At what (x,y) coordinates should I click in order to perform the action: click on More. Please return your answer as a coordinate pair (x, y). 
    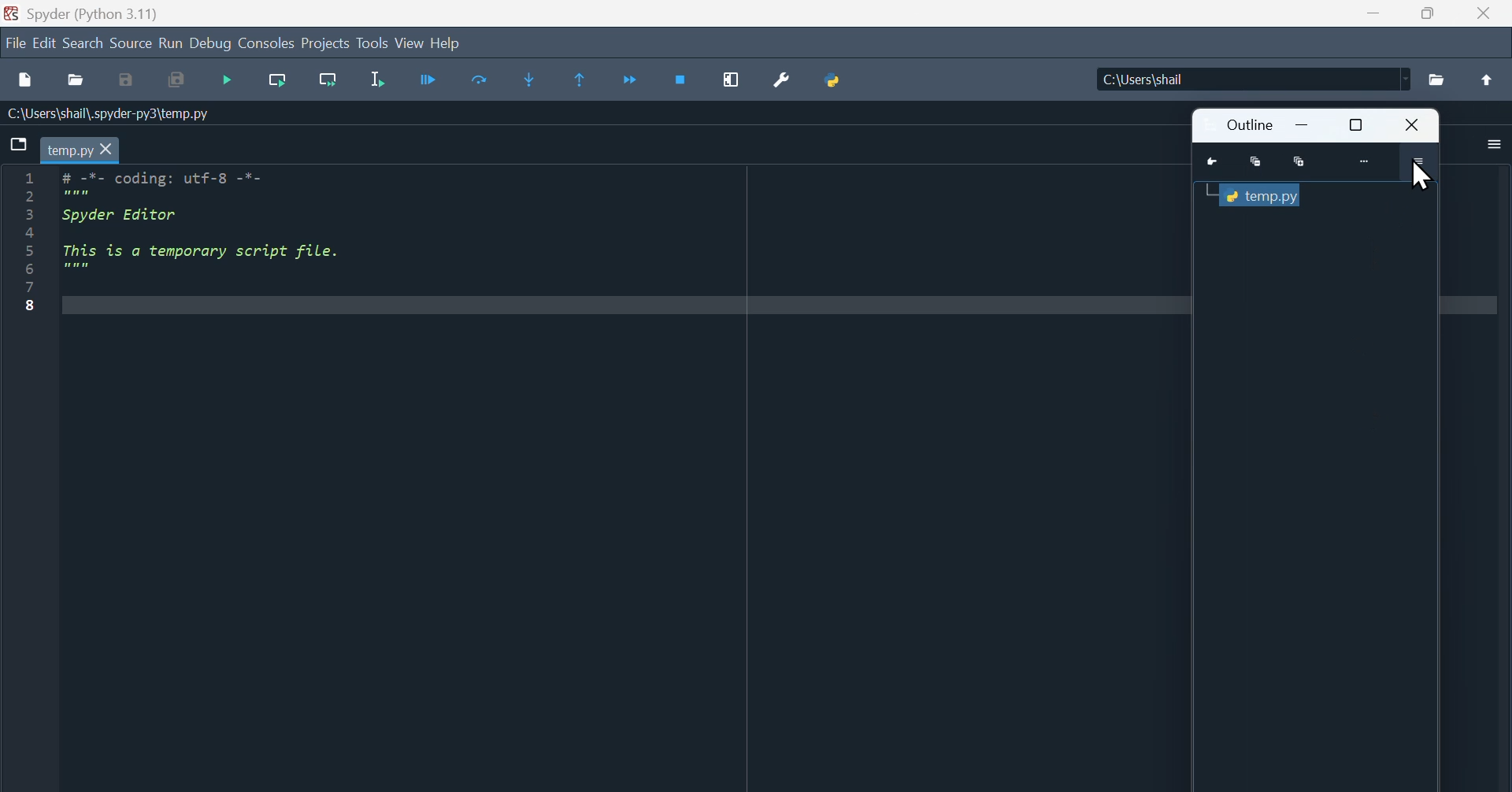
    Looking at the image, I should click on (1366, 161).